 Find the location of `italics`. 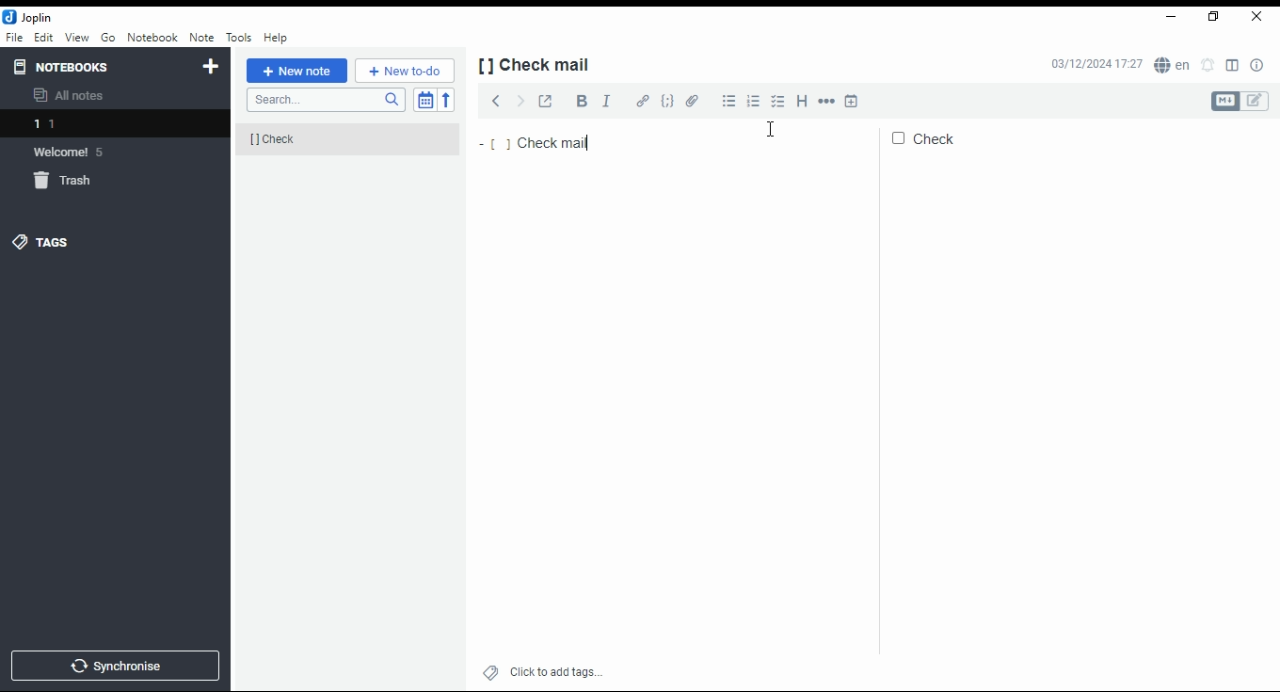

italics is located at coordinates (606, 101).